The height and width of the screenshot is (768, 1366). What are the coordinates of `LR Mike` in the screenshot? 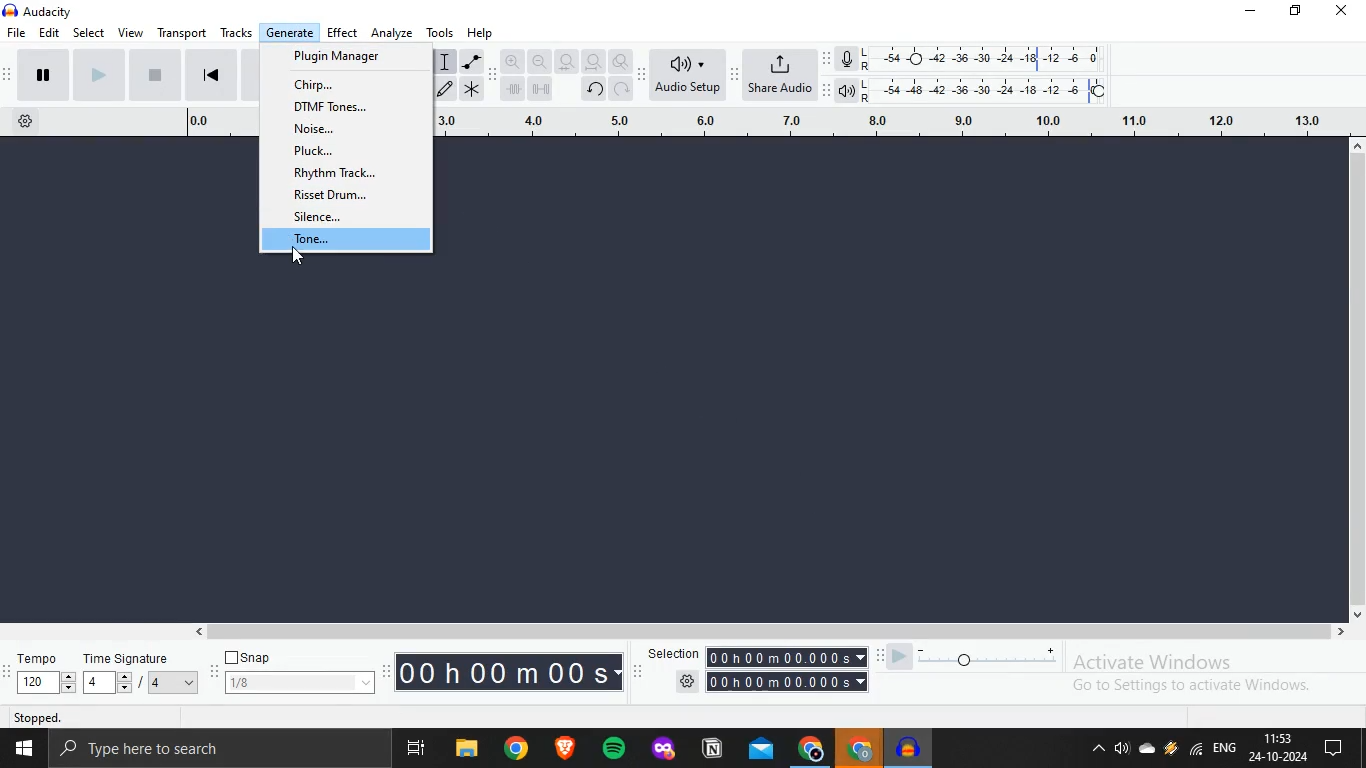 It's located at (976, 60).